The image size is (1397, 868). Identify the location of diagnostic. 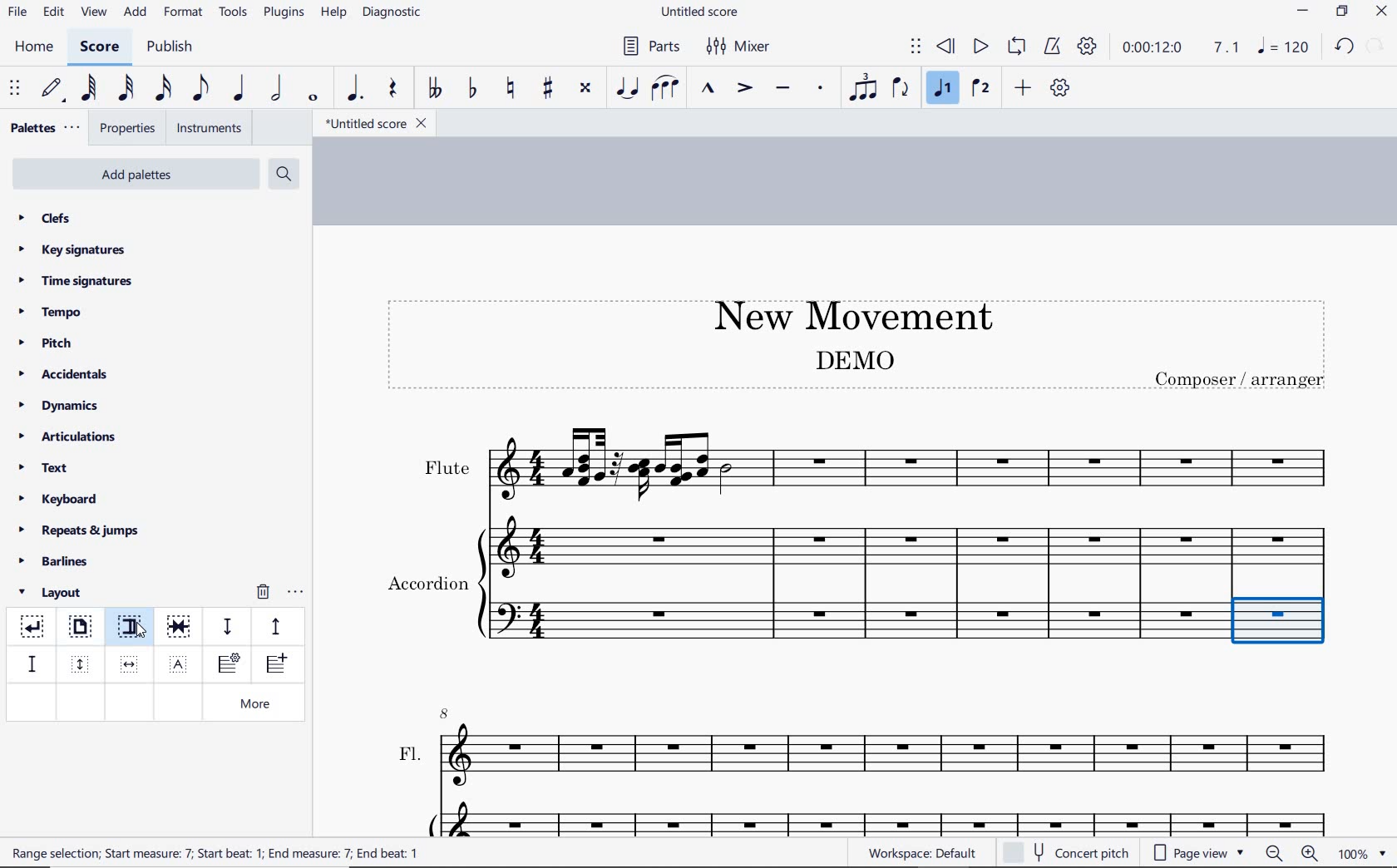
(394, 14).